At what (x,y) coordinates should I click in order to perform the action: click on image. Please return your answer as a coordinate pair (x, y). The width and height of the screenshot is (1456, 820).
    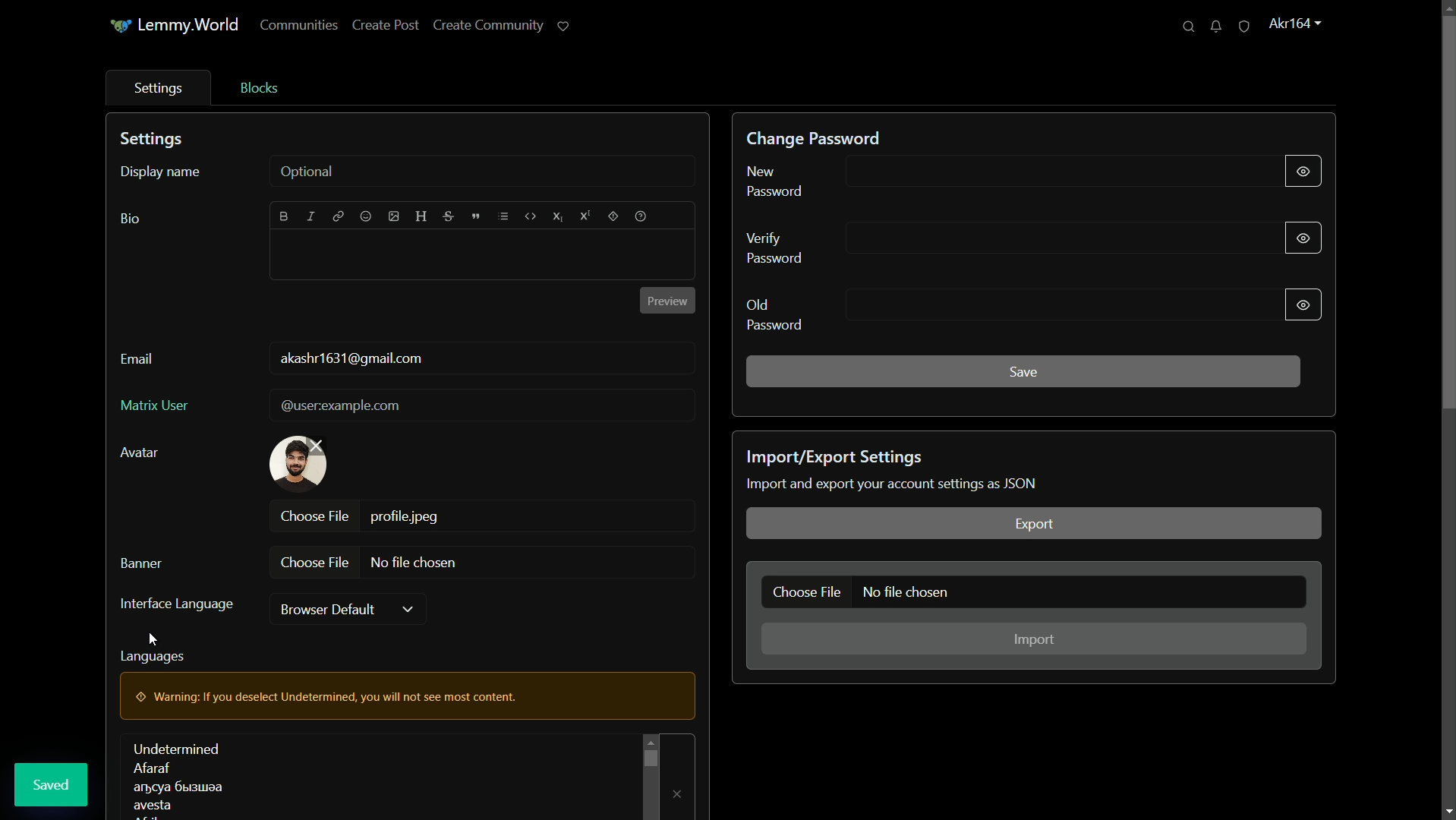
    Looking at the image, I should click on (392, 218).